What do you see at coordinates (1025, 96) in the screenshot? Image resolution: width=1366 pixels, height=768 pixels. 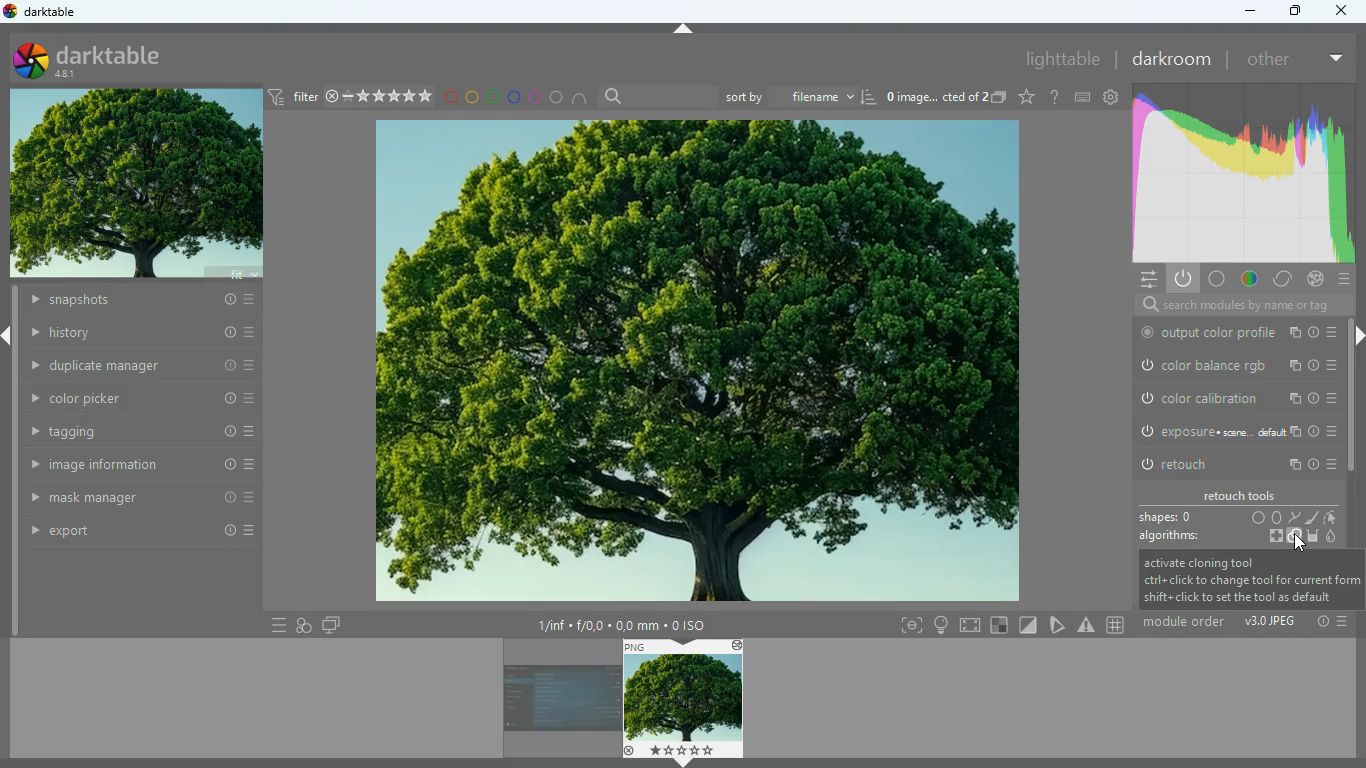 I see `favorite` at bounding box center [1025, 96].